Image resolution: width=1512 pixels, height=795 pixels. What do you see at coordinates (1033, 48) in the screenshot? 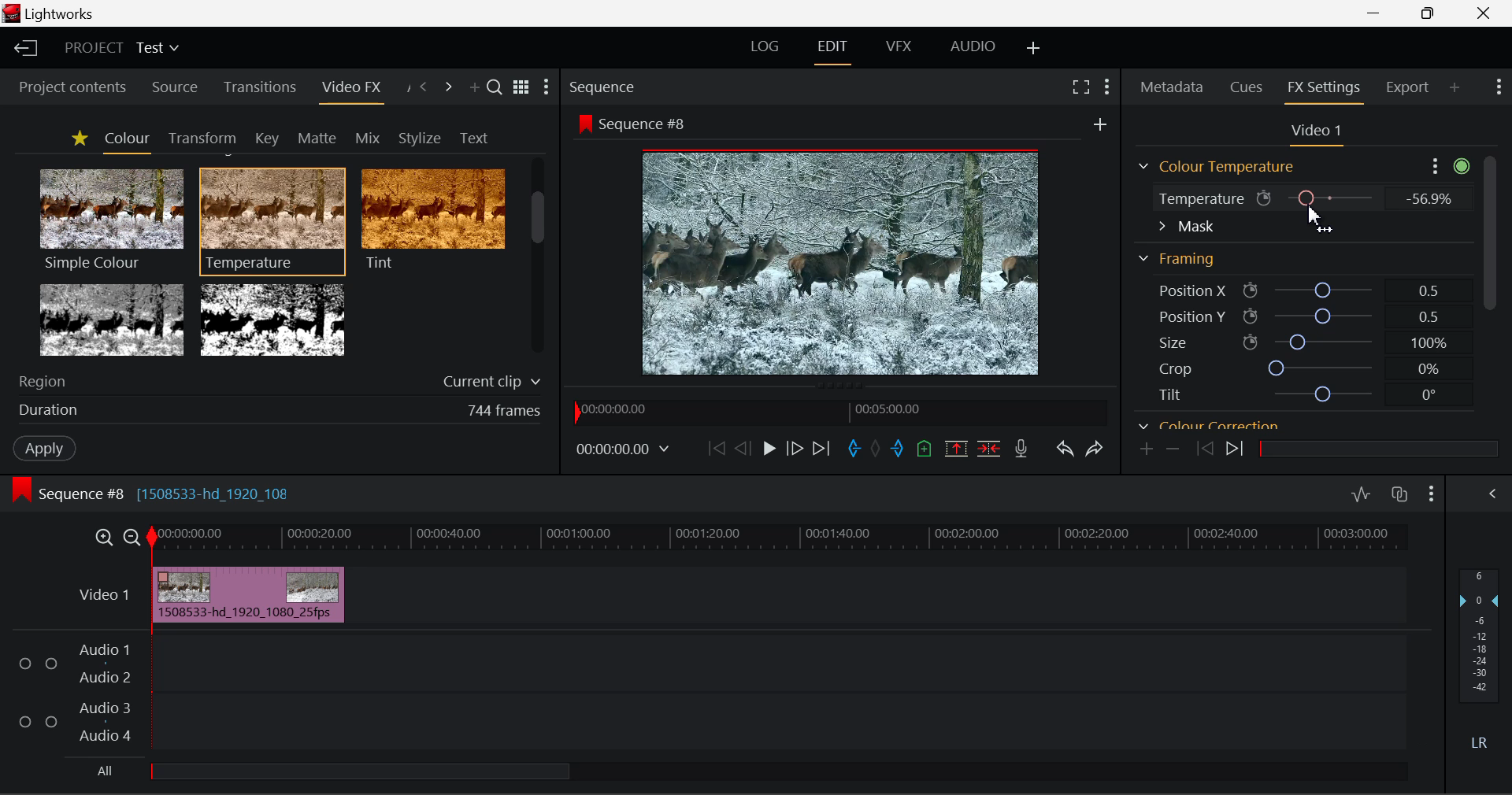
I see `Add Layout` at bounding box center [1033, 48].